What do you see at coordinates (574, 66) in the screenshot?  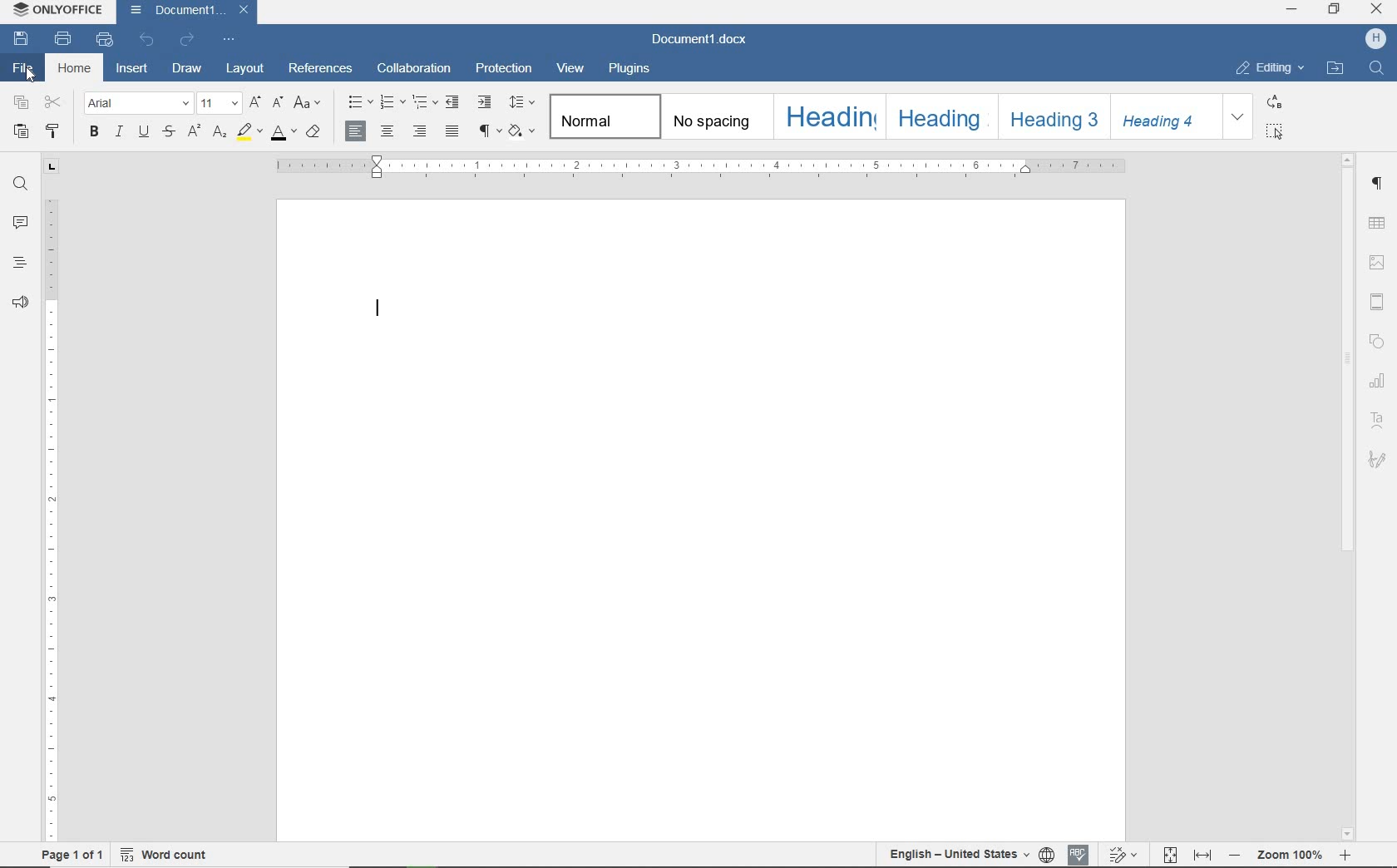 I see `view` at bounding box center [574, 66].